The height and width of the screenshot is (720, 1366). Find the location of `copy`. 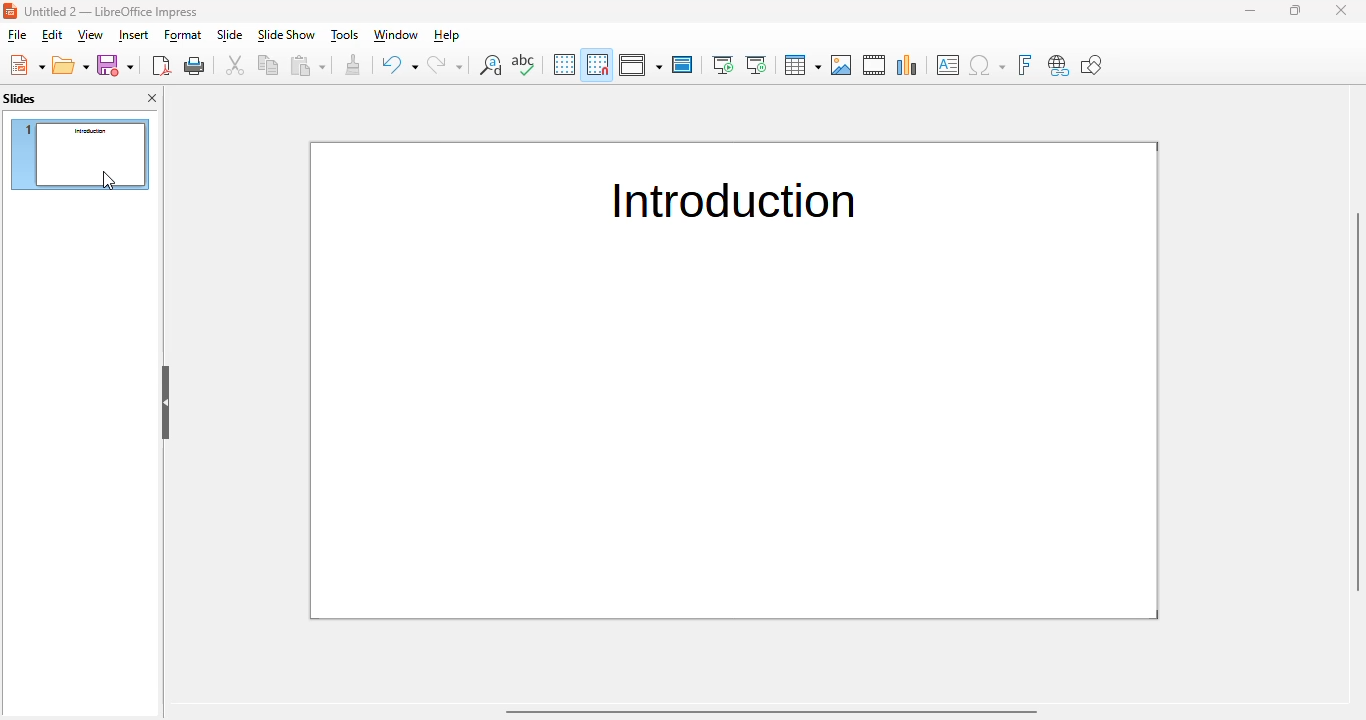

copy is located at coordinates (270, 64).